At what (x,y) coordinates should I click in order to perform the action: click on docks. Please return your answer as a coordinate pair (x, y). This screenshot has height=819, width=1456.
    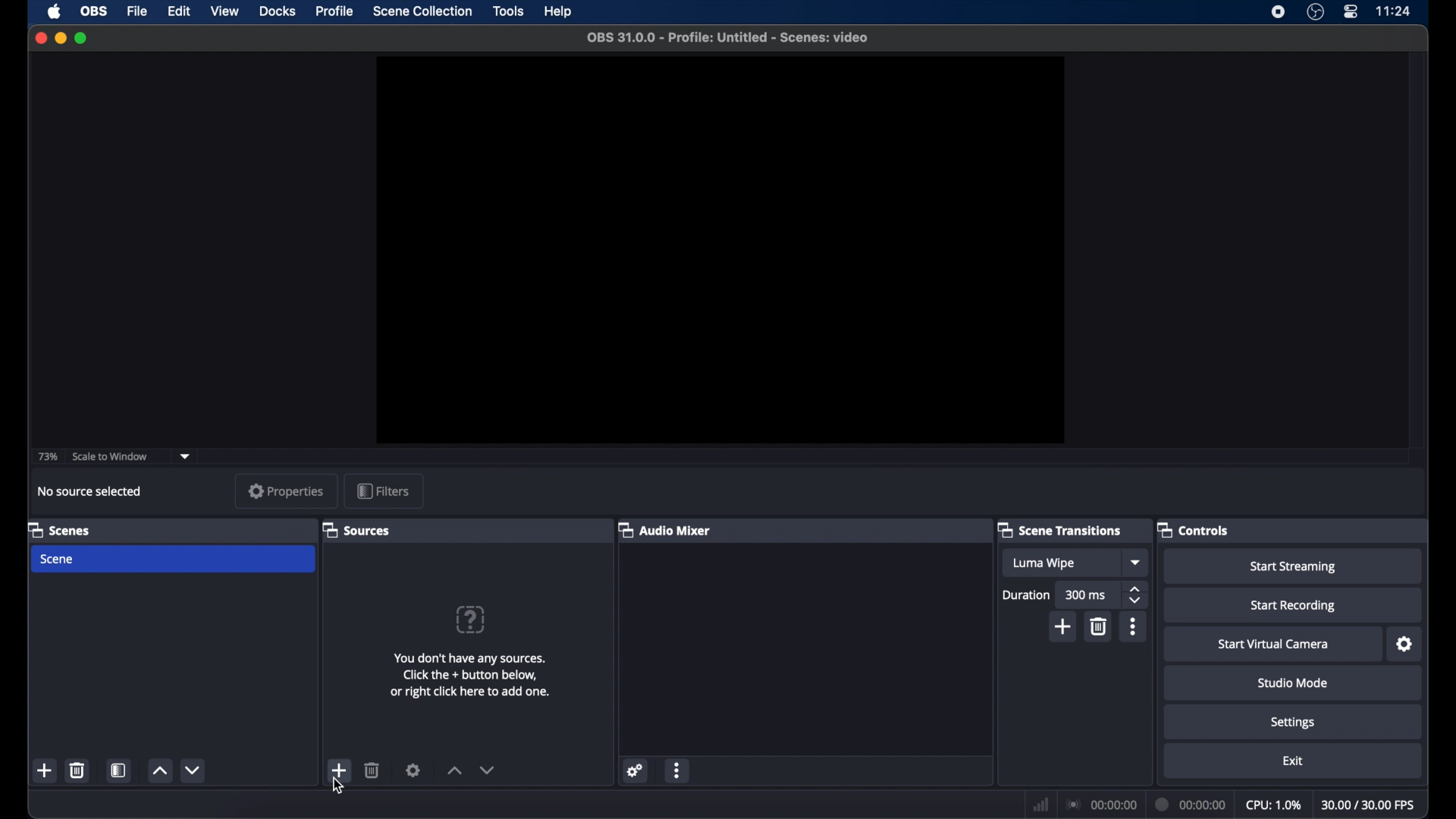
    Looking at the image, I should click on (278, 11).